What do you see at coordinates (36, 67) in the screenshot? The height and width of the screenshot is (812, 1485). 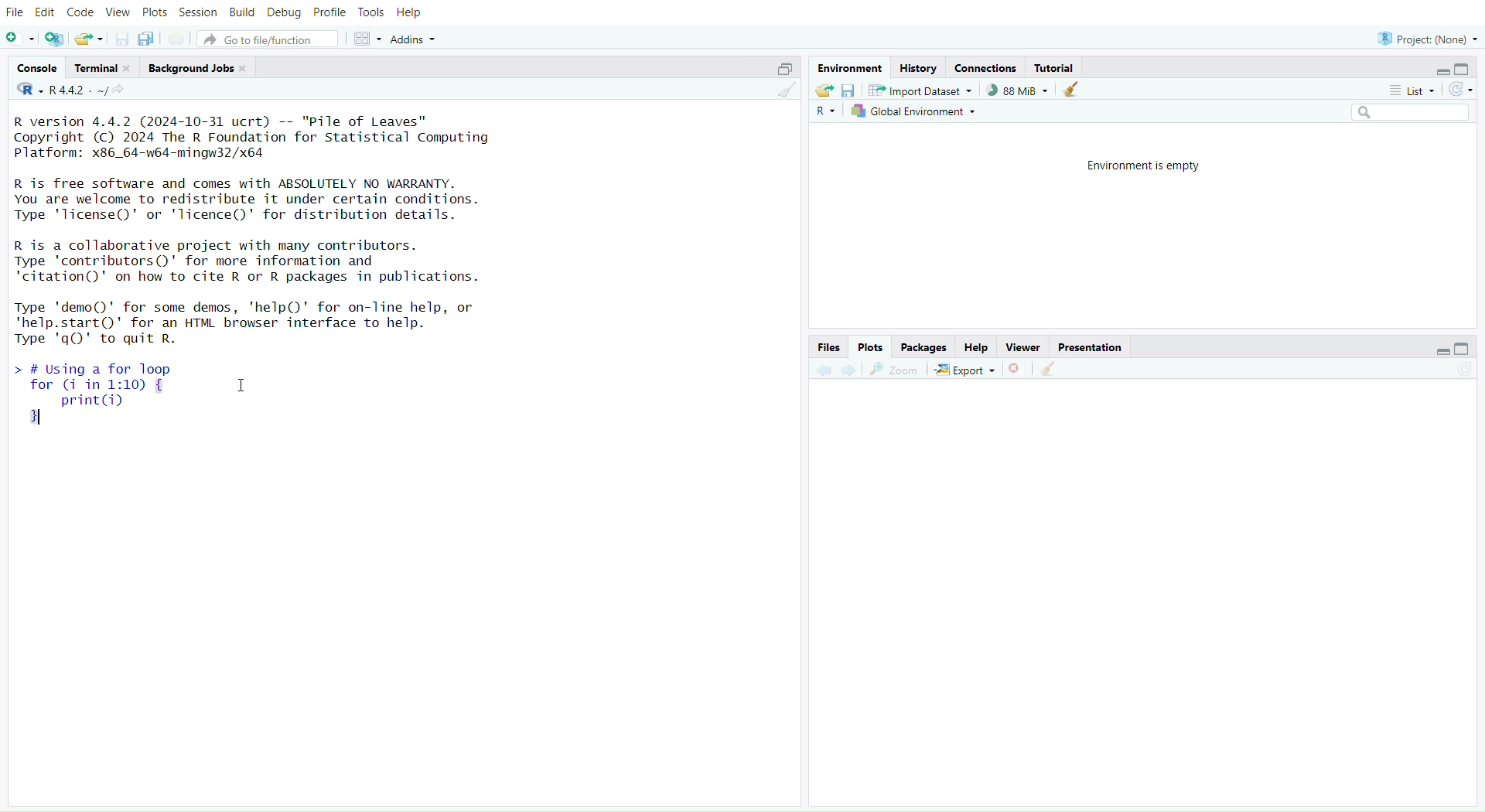 I see `console` at bounding box center [36, 67].